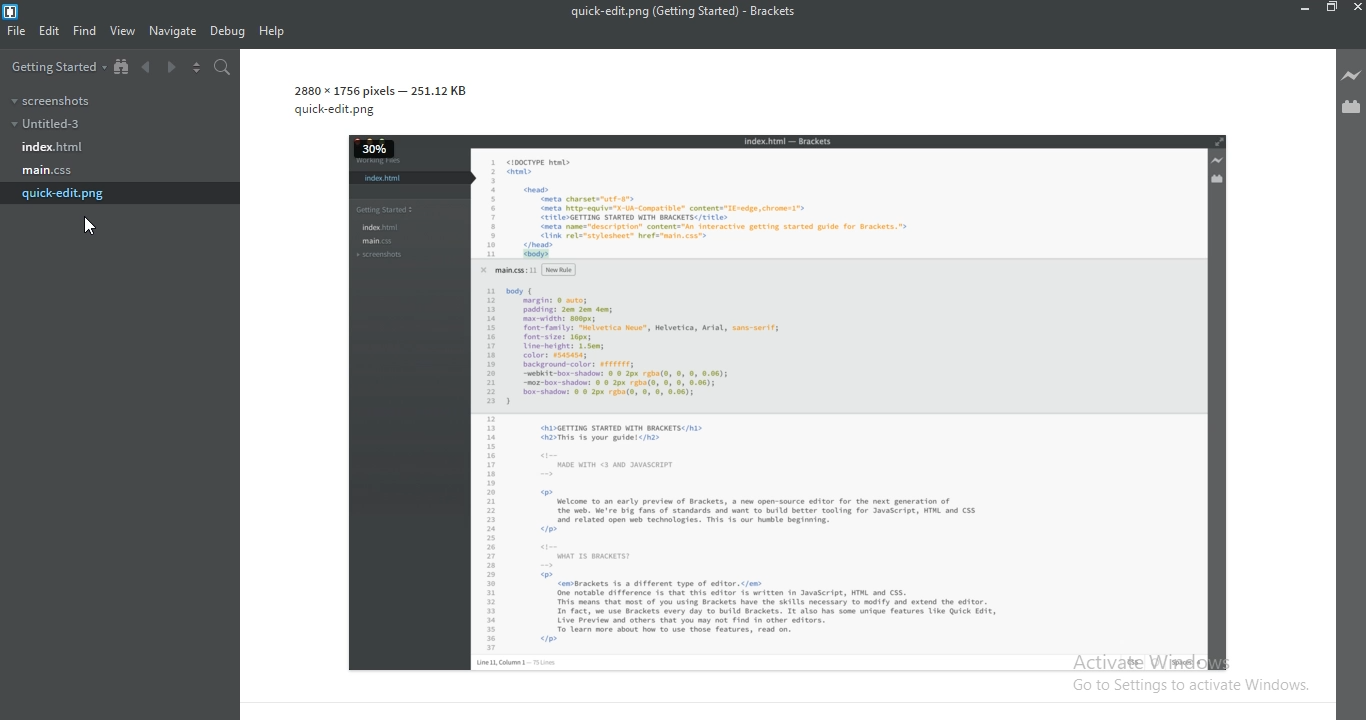 The width and height of the screenshot is (1366, 720). Describe the element at coordinates (271, 32) in the screenshot. I see `help` at that location.